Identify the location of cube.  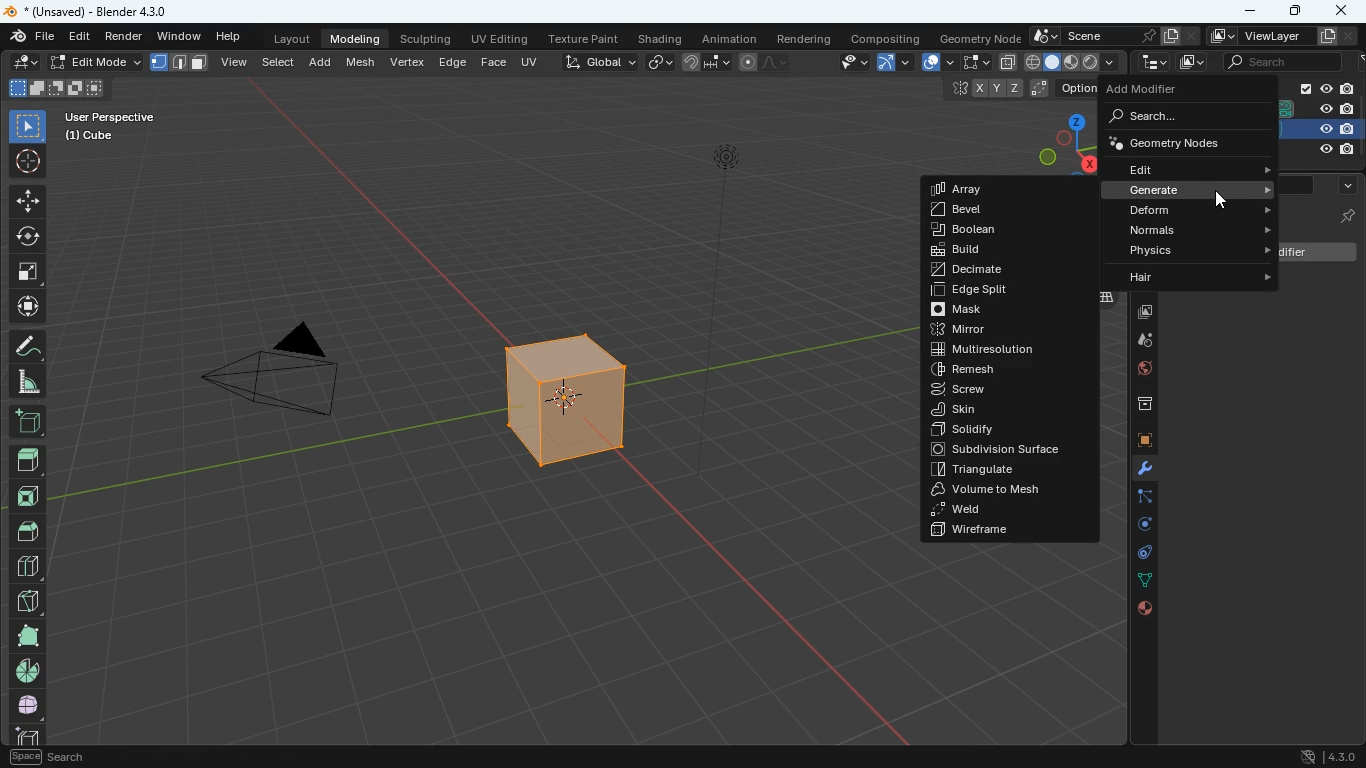
(1322, 129).